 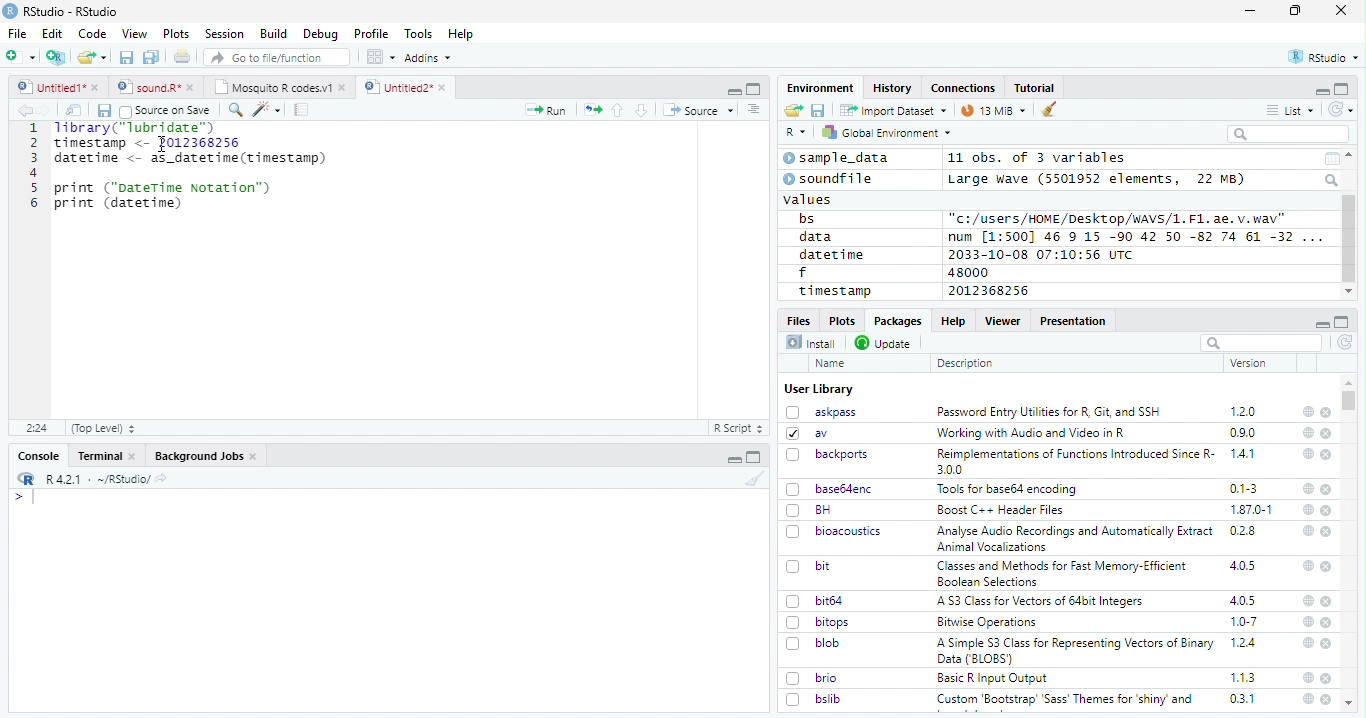 I want to click on open an existing file, so click(x=91, y=58).